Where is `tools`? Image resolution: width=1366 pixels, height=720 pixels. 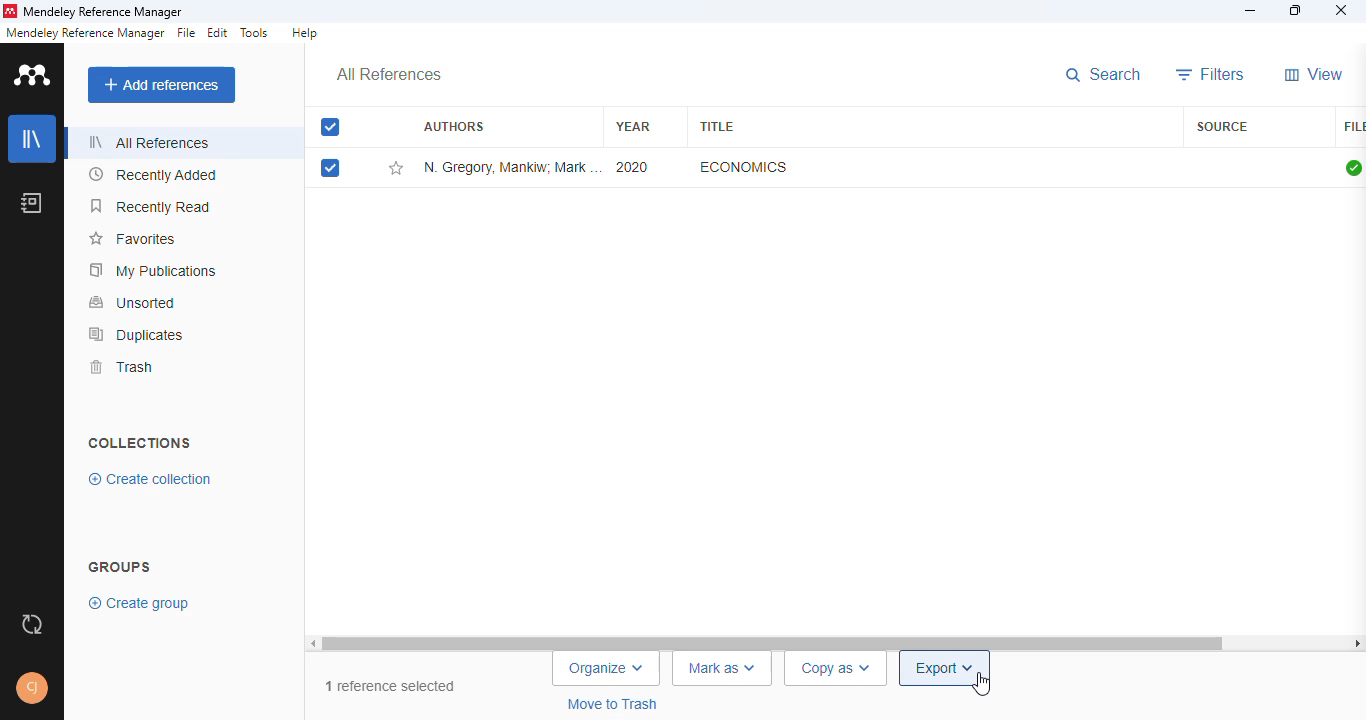
tools is located at coordinates (254, 32).